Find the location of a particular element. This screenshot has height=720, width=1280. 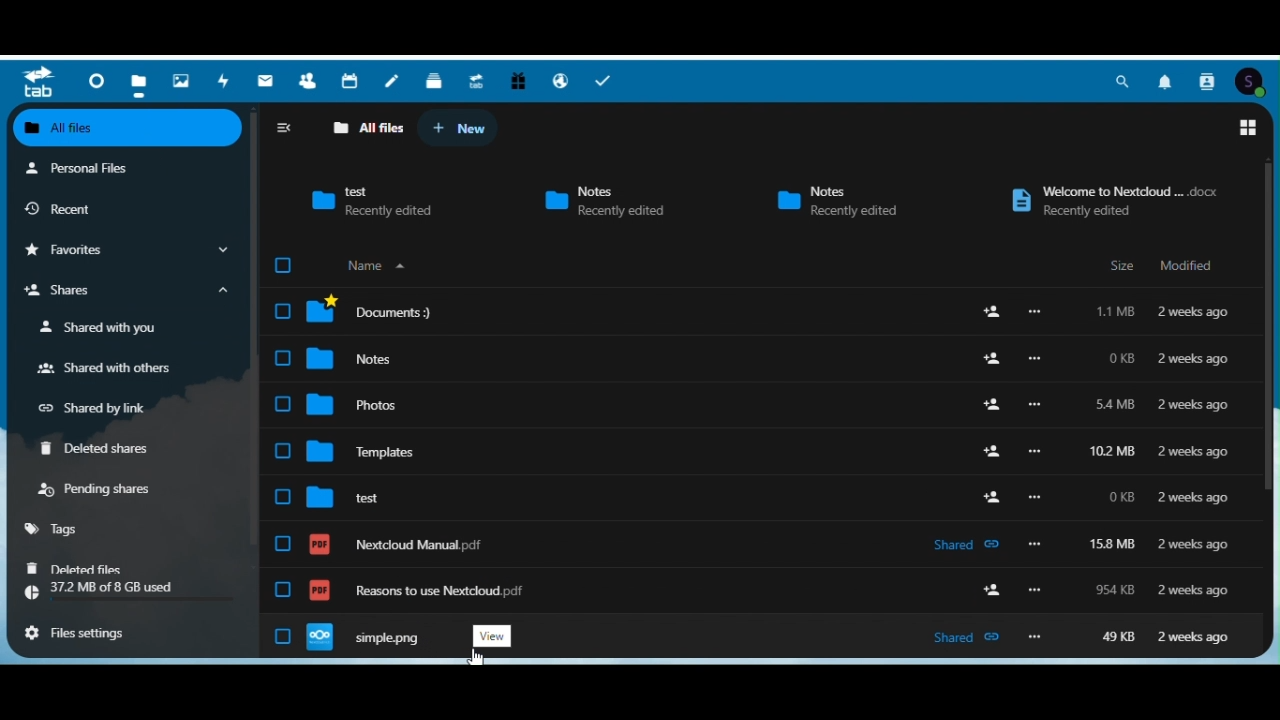

welcome to nextcloud docx is located at coordinates (1111, 201).